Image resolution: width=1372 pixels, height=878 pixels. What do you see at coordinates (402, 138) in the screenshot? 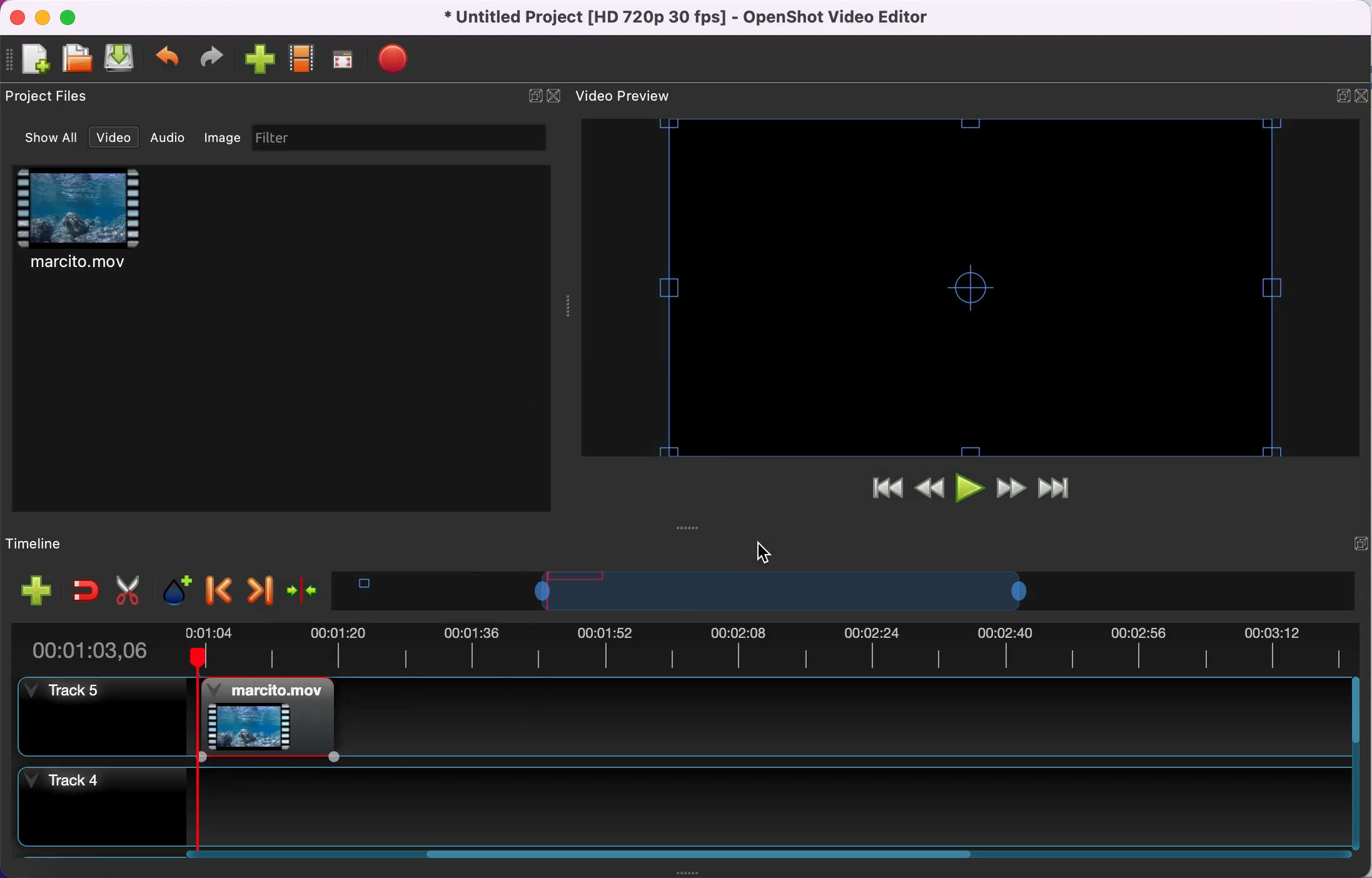
I see `filter` at bounding box center [402, 138].